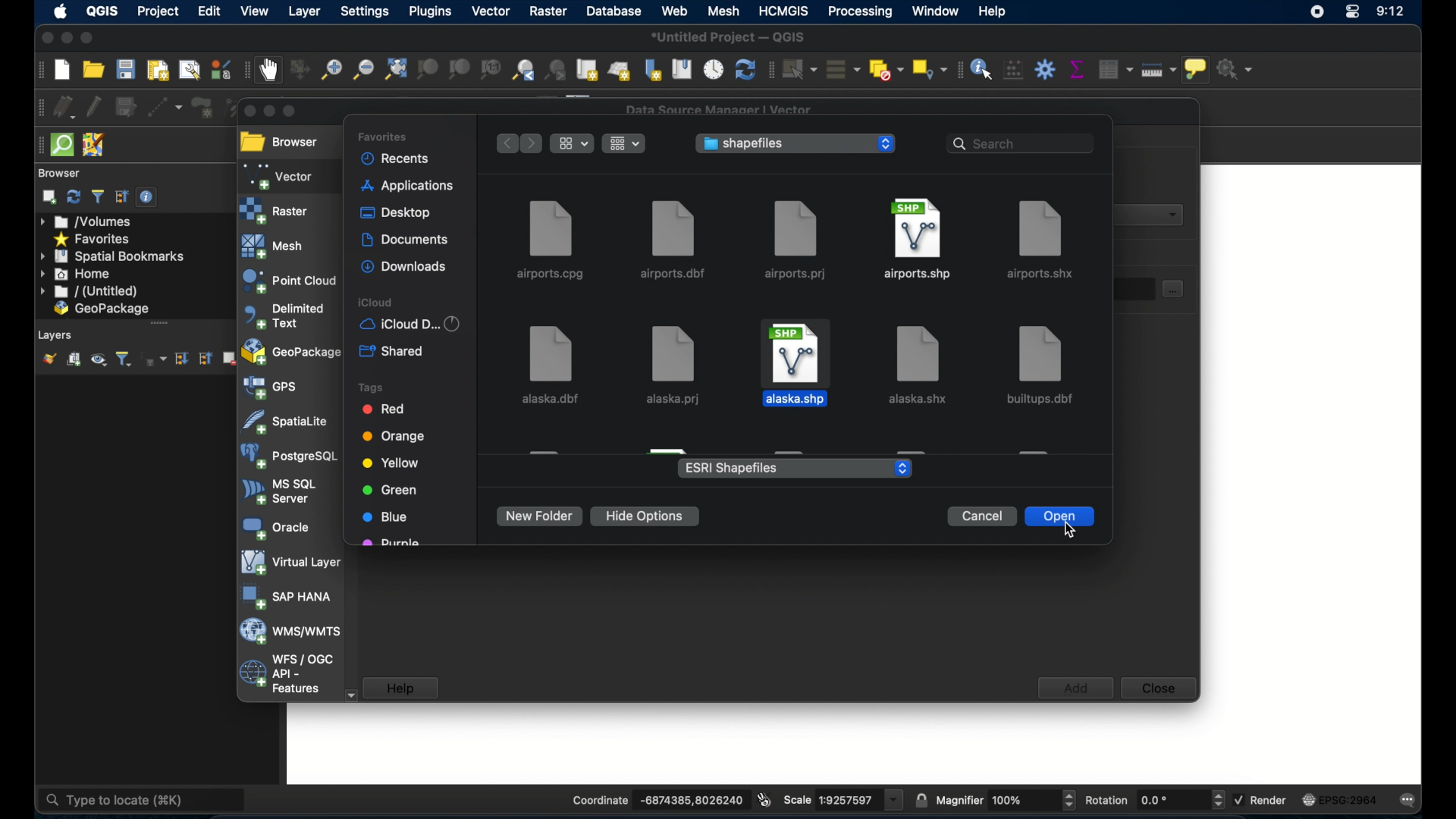 This screenshot has height=819, width=1456. What do you see at coordinates (681, 68) in the screenshot?
I see `show spatial bookmarks` at bounding box center [681, 68].